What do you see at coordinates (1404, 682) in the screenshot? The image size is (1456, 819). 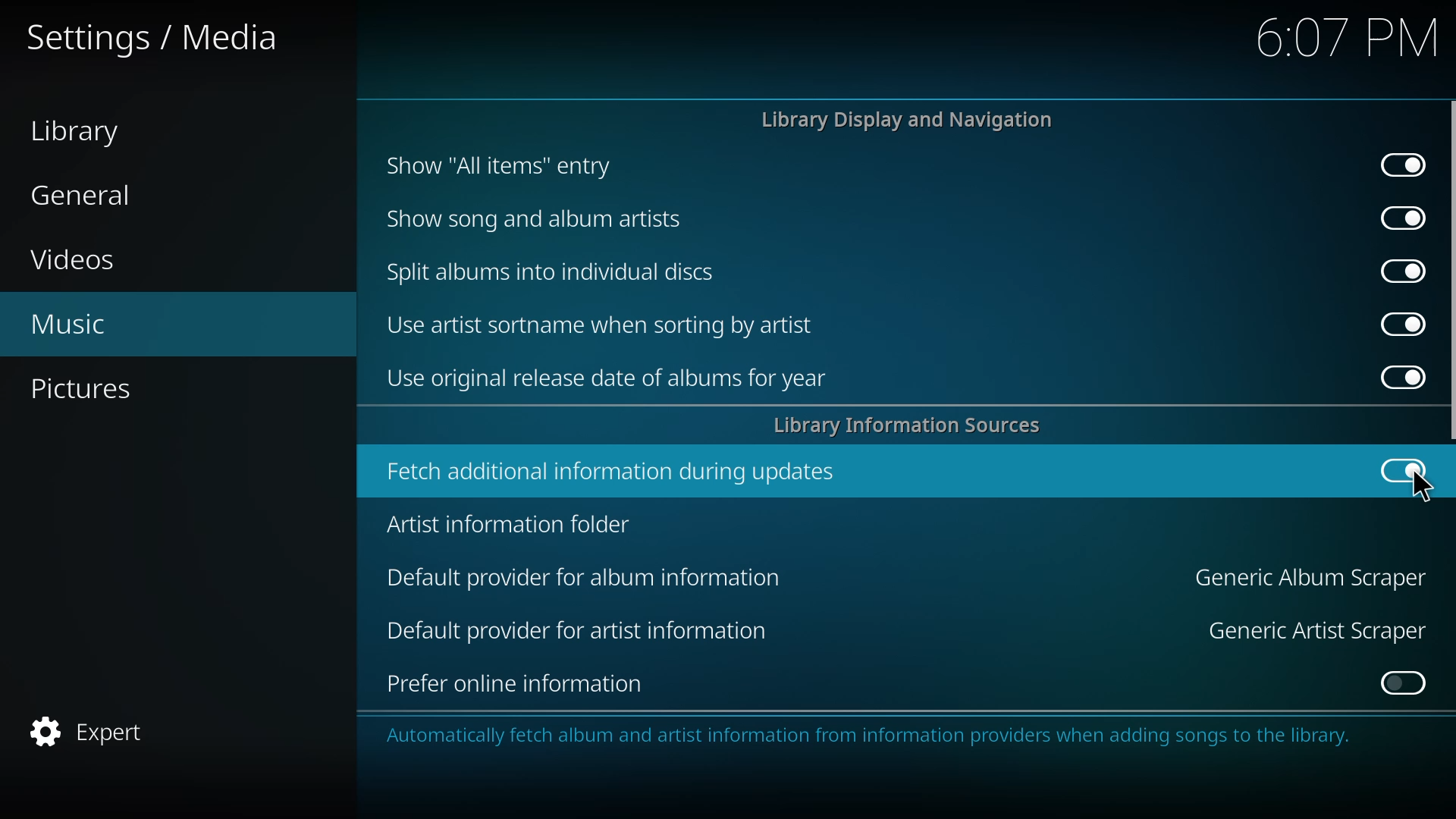 I see `click to enable` at bounding box center [1404, 682].